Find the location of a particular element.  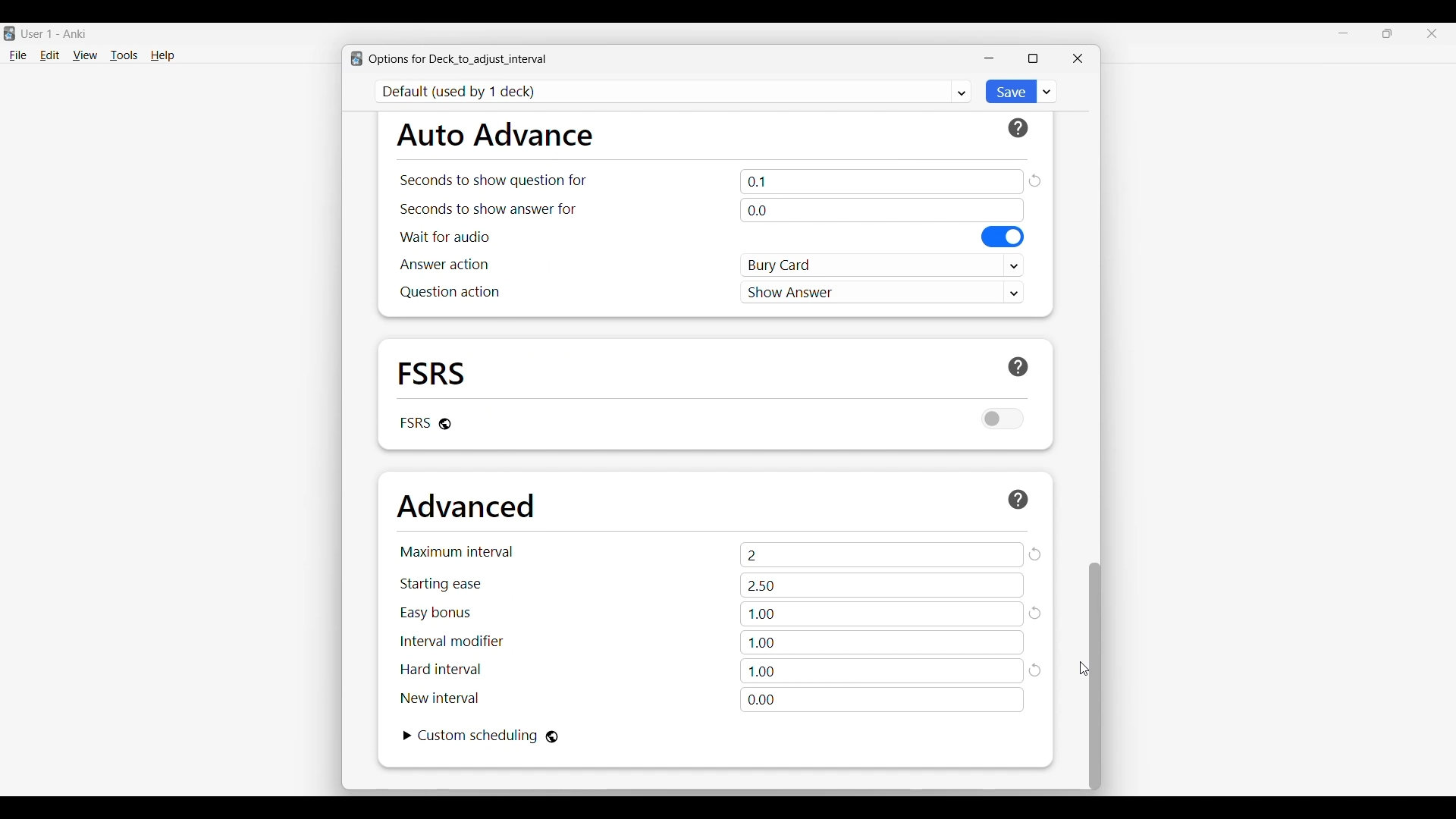

Learn more about respective section is located at coordinates (1018, 128).